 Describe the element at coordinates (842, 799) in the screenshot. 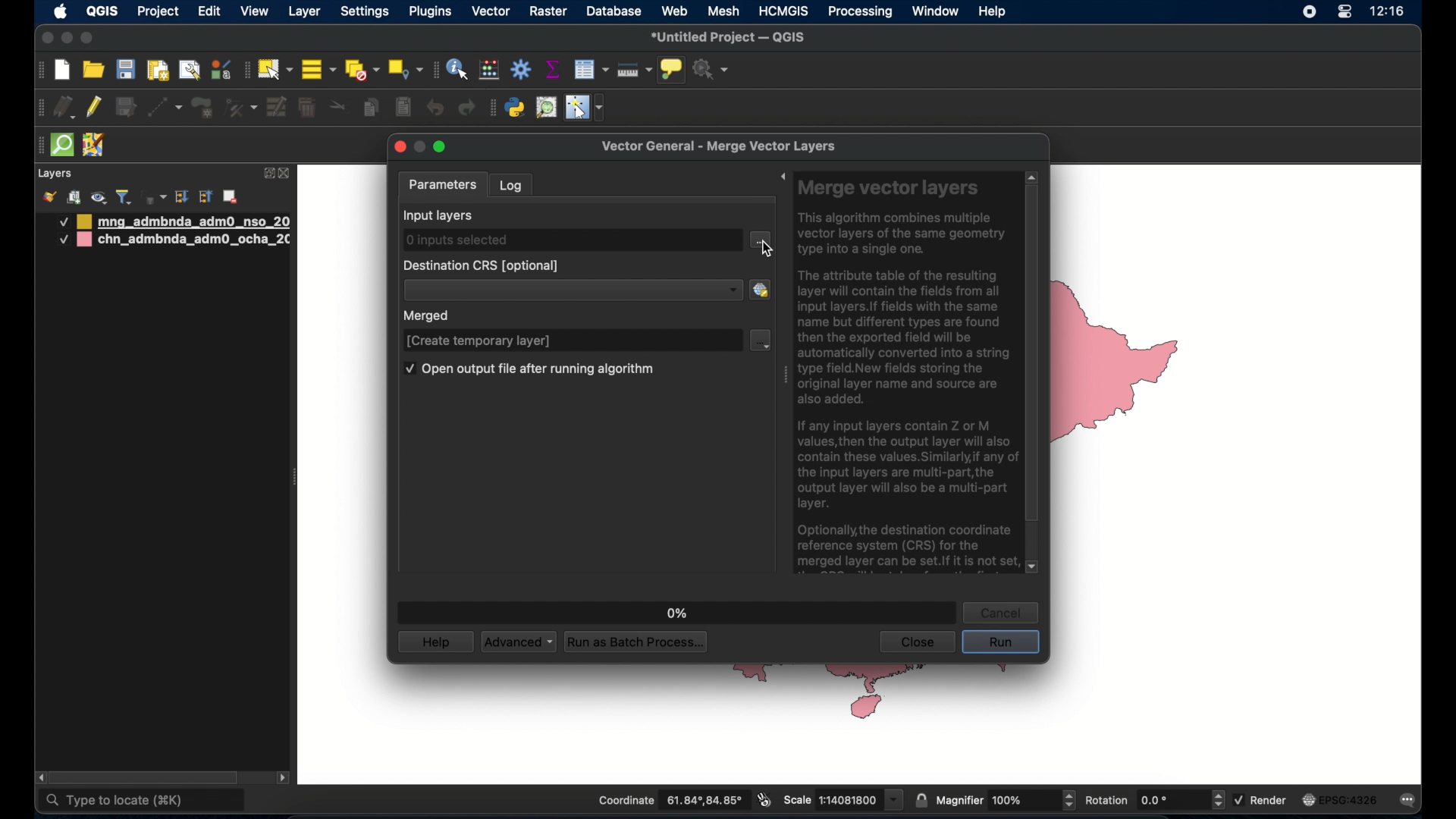

I see `scale` at that location.